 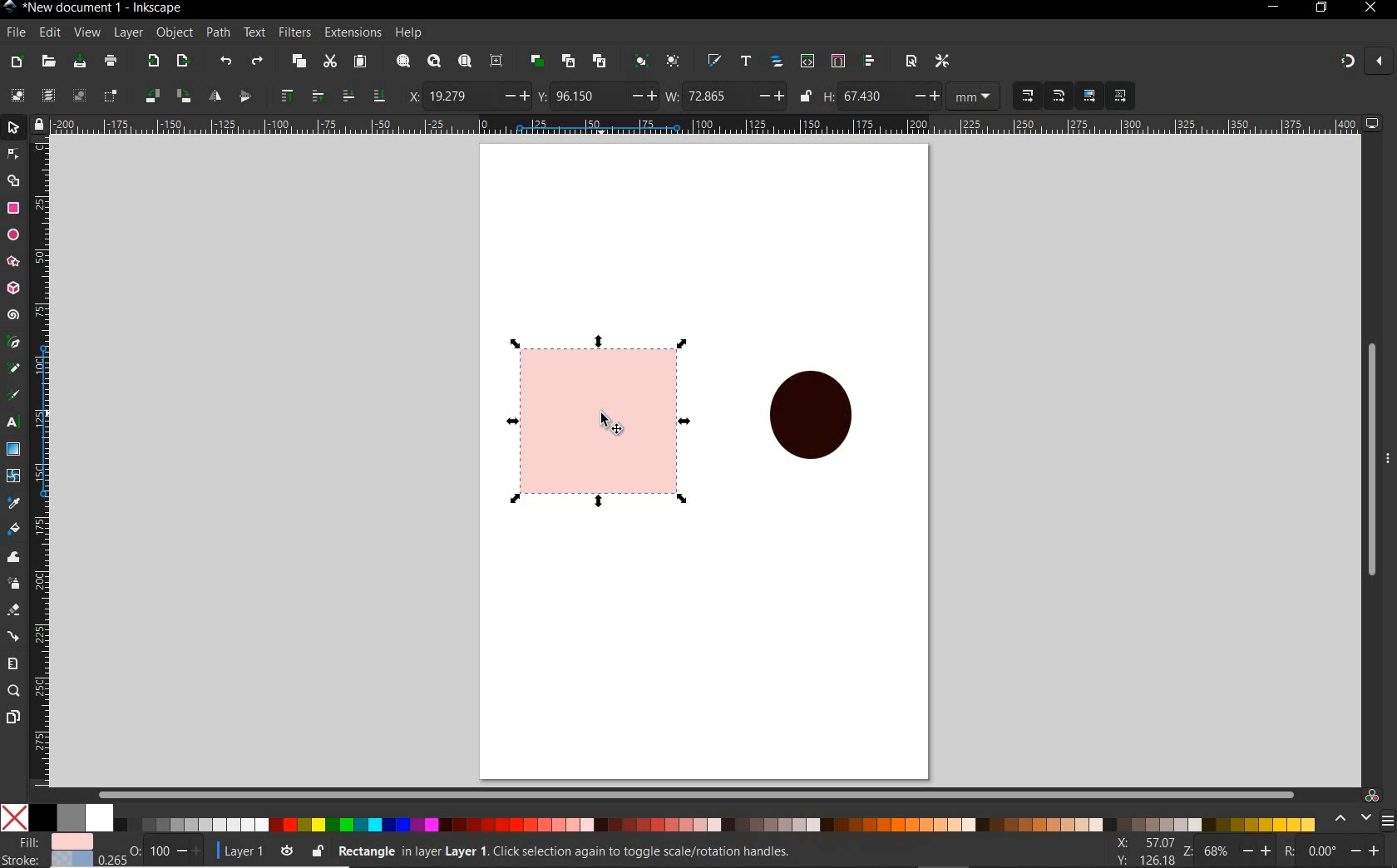 I want to click on lower, so click(x=348, y=96).